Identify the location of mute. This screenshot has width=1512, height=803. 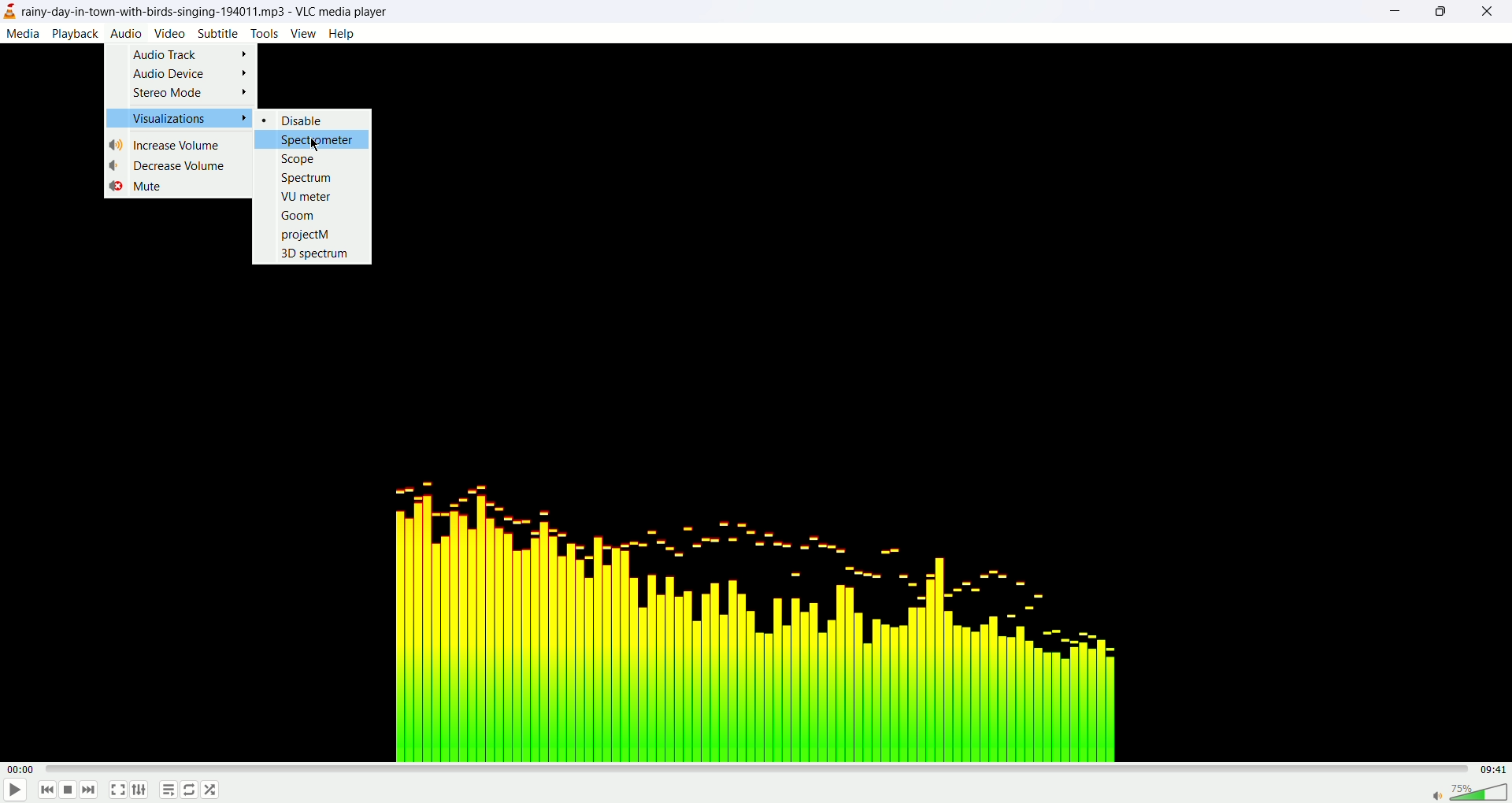
(136, 186).